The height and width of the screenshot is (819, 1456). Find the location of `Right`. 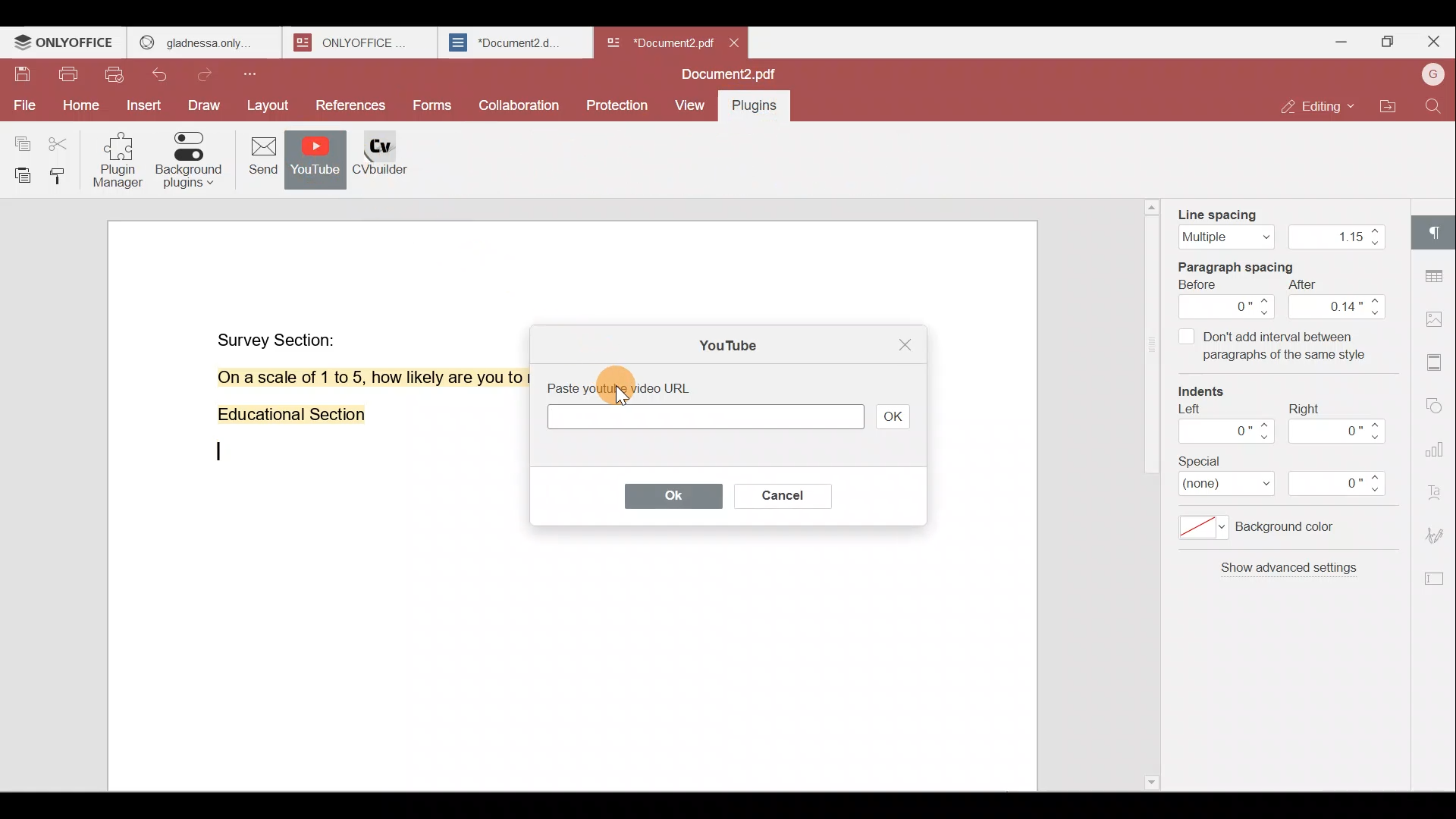

Right is located at coordinates (1341, 423).